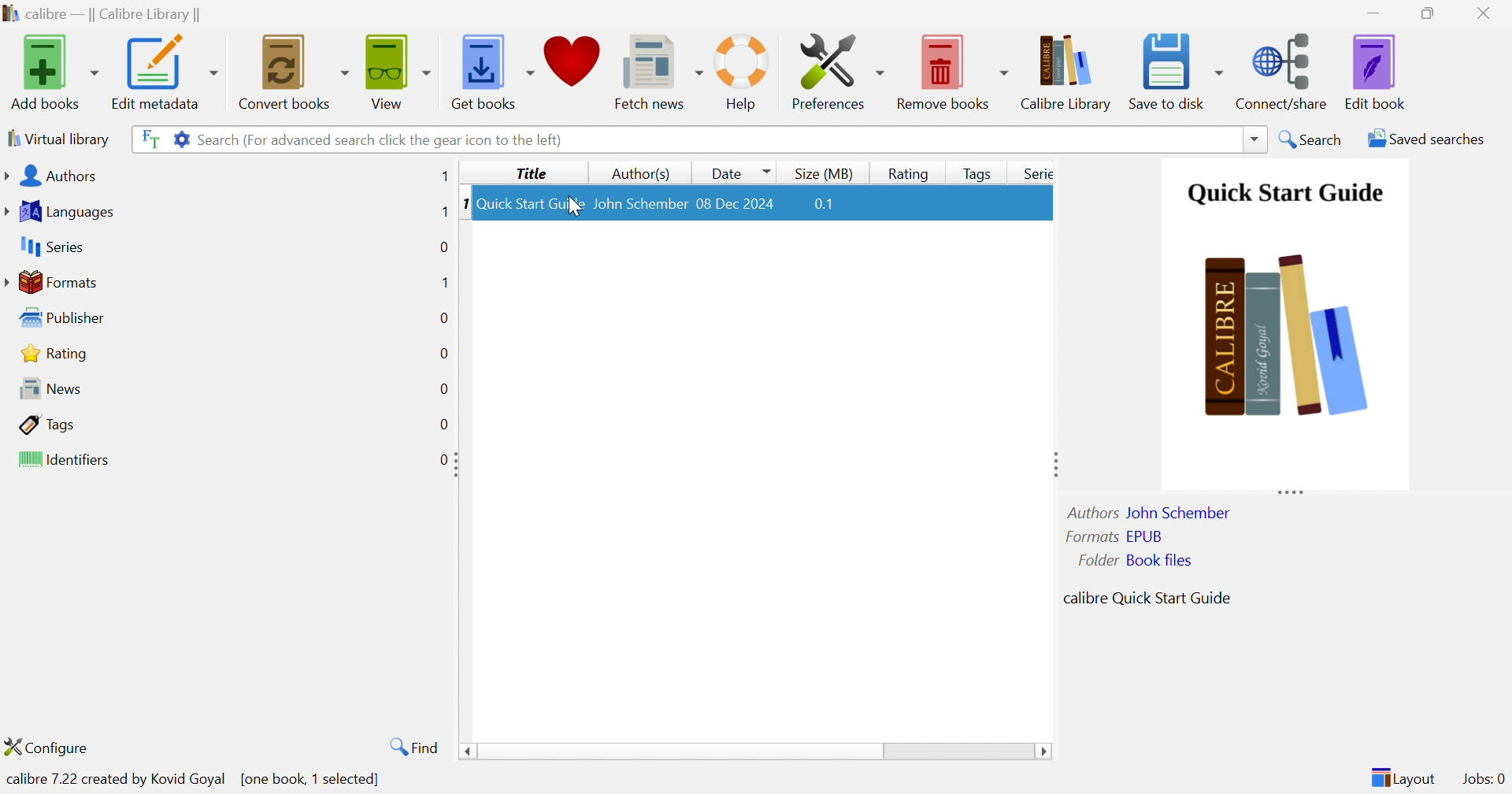 The height and width of the screenshot is (794, 1512). I want to click on View, so click(399, 69).